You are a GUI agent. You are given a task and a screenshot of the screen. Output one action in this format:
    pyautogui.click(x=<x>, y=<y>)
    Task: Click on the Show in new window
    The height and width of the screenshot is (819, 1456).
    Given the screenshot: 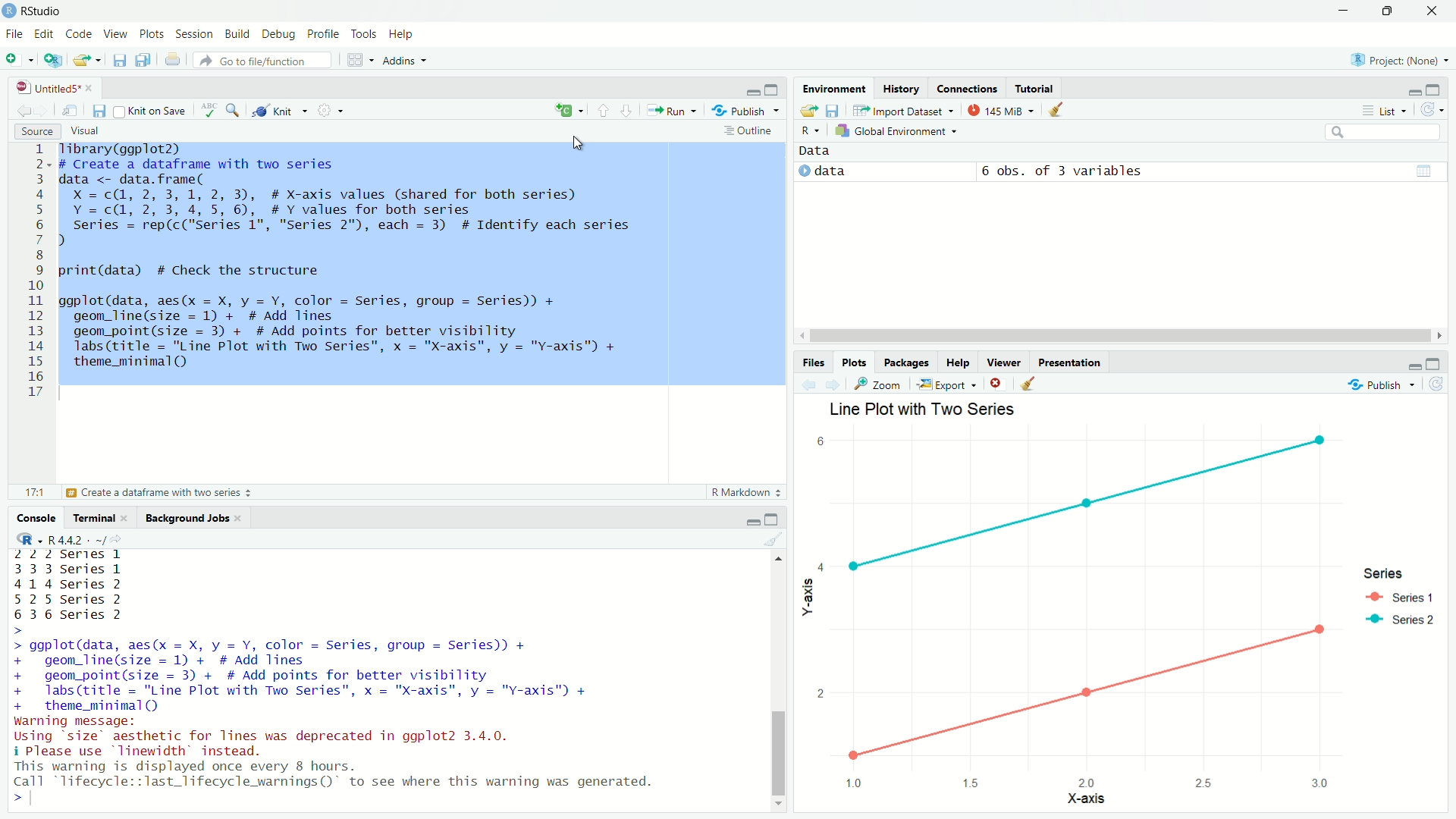 What is the action you would take?
    pyautogui.click(x=71, y=111)
    